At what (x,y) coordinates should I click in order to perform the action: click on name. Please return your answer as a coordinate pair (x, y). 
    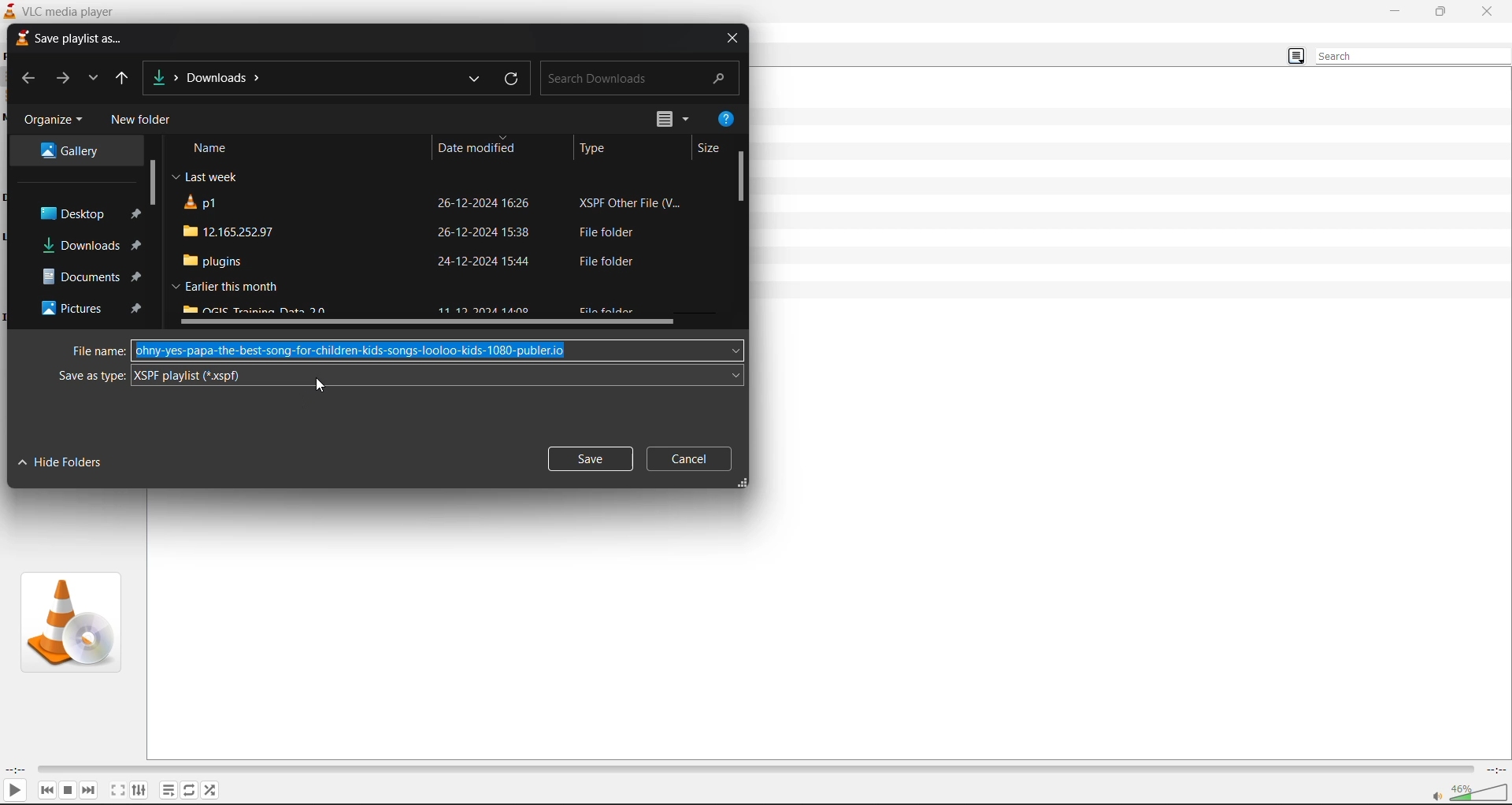
    Looking at the image, I should click on (207, 148).